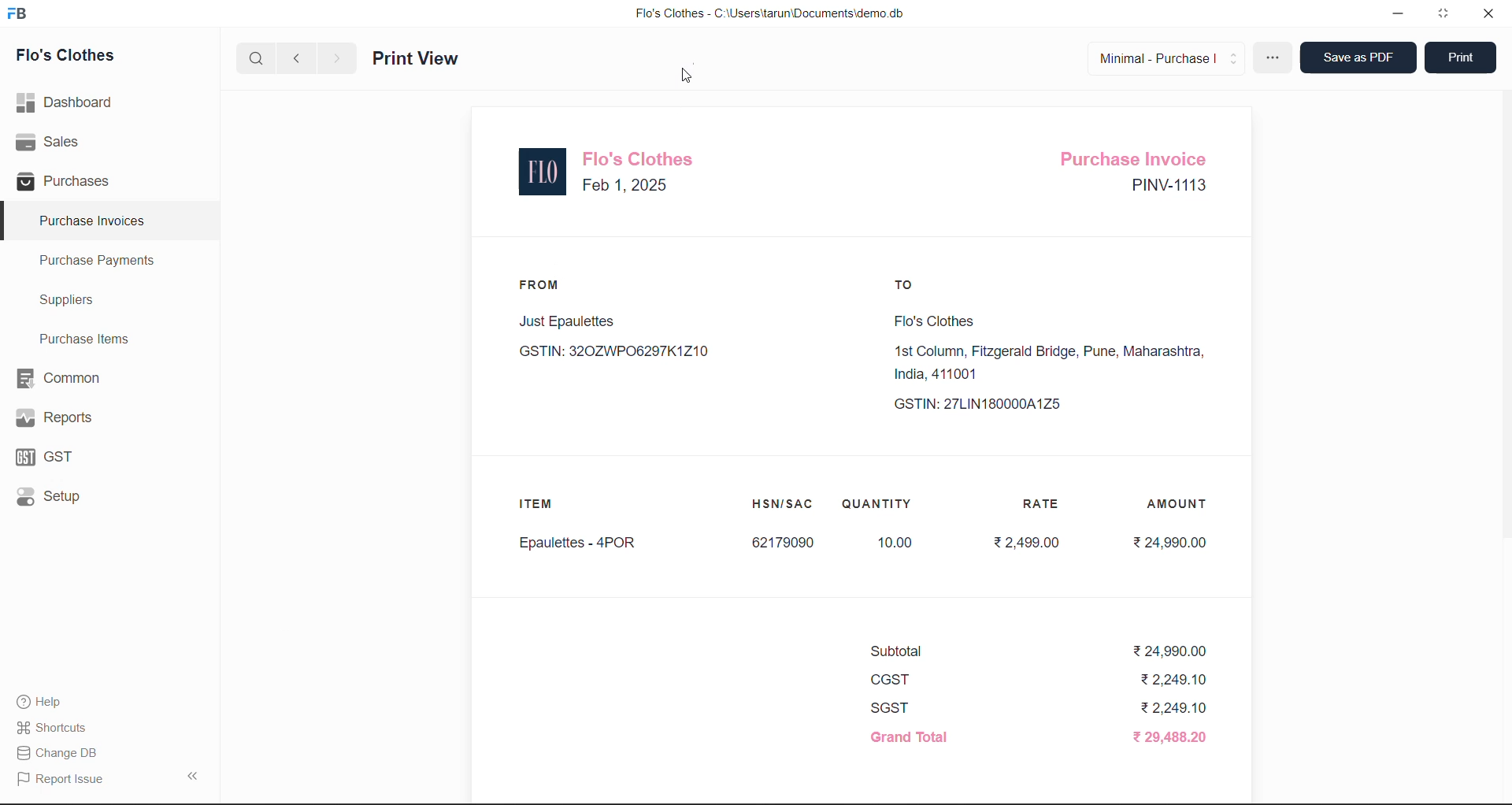 This screenshot has width=1512, height=805. Describe the element at coordinates (69, 102) in the screenshot. I see `Dashboard` at that location.